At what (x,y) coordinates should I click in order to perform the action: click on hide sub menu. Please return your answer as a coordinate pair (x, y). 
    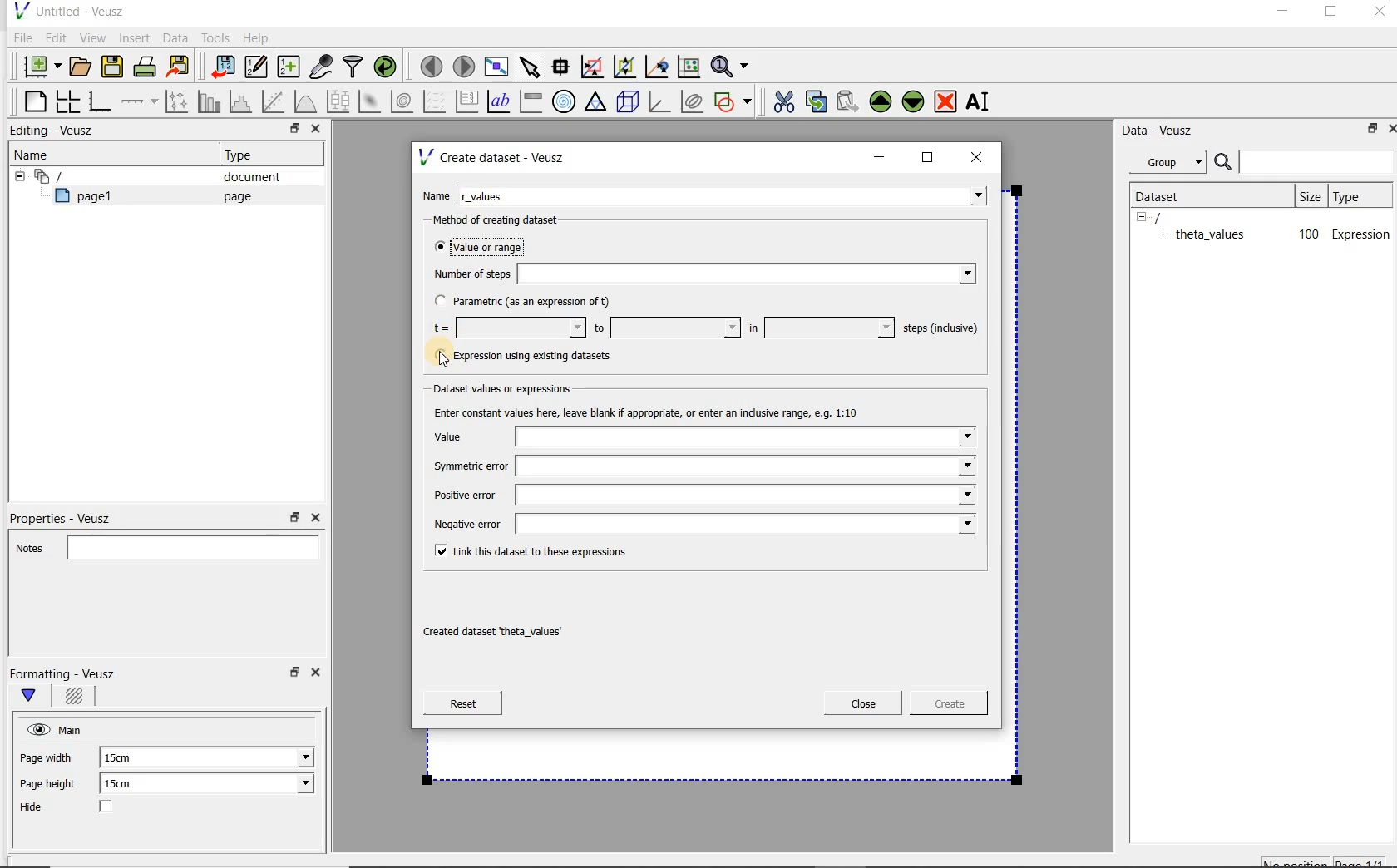
    Looking at the image, I should click on (1142, 216).